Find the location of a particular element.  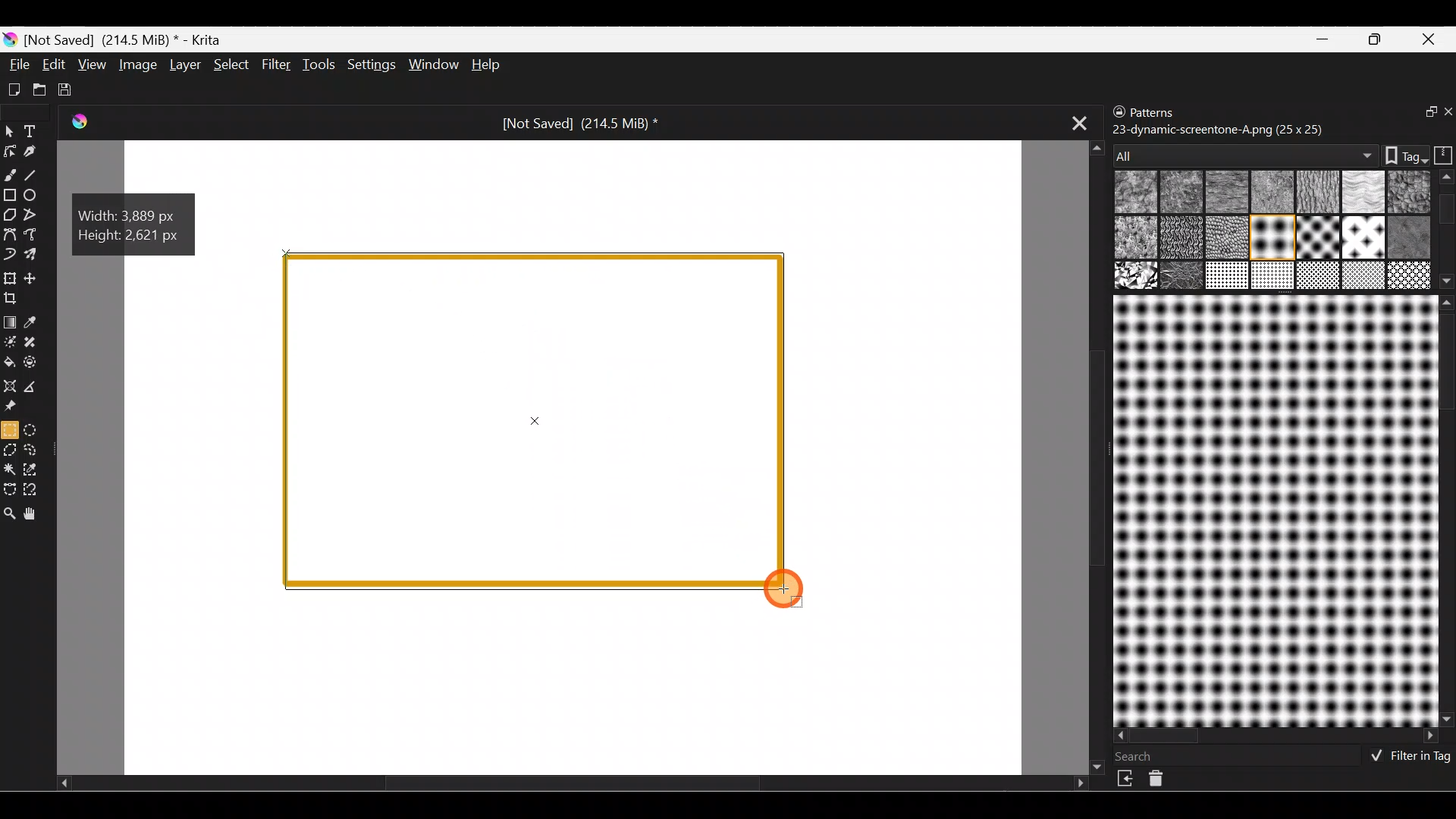

Settings is located at coordinates (369, 65).